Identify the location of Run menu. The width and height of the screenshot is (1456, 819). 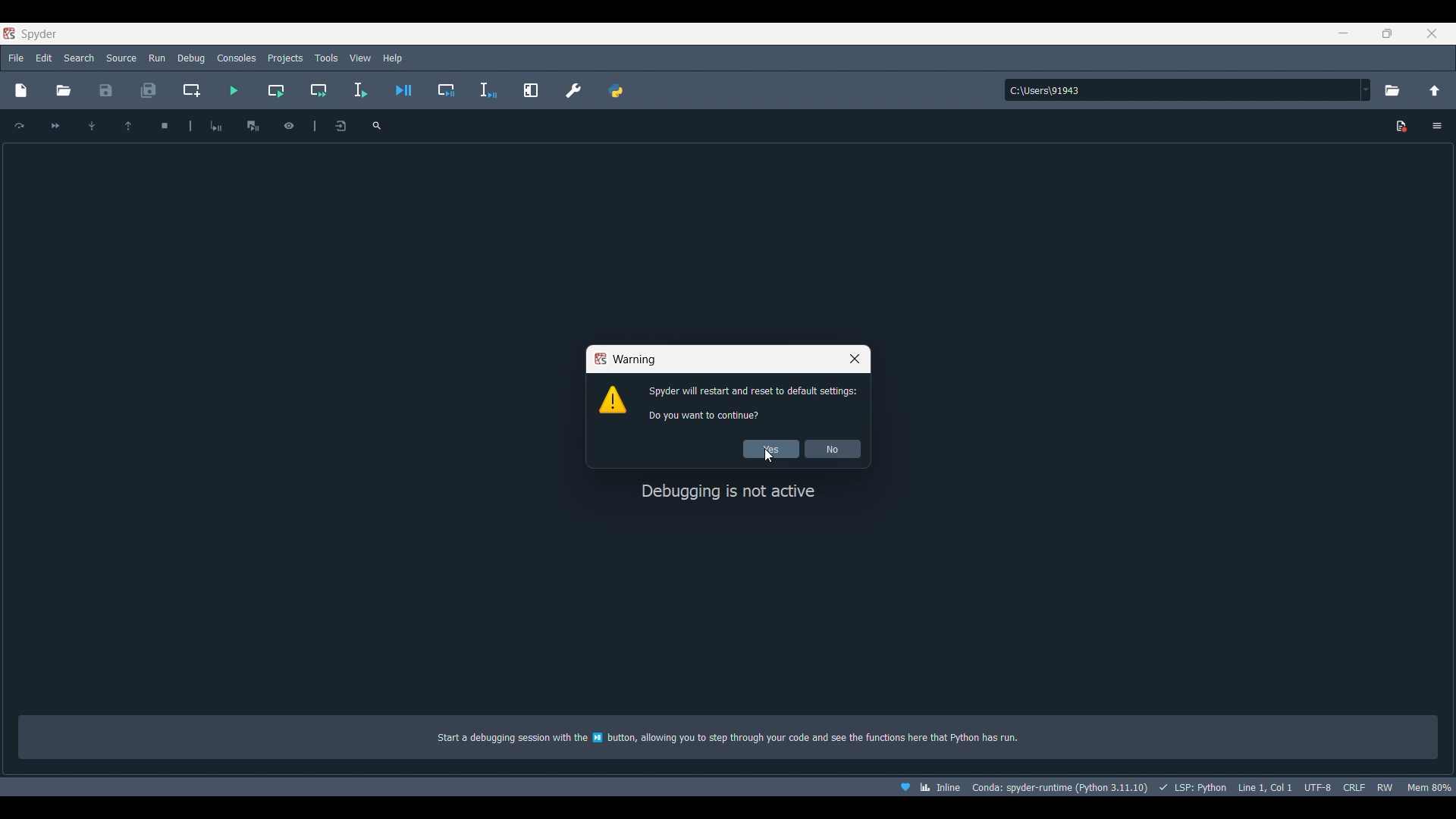
(155, 58).